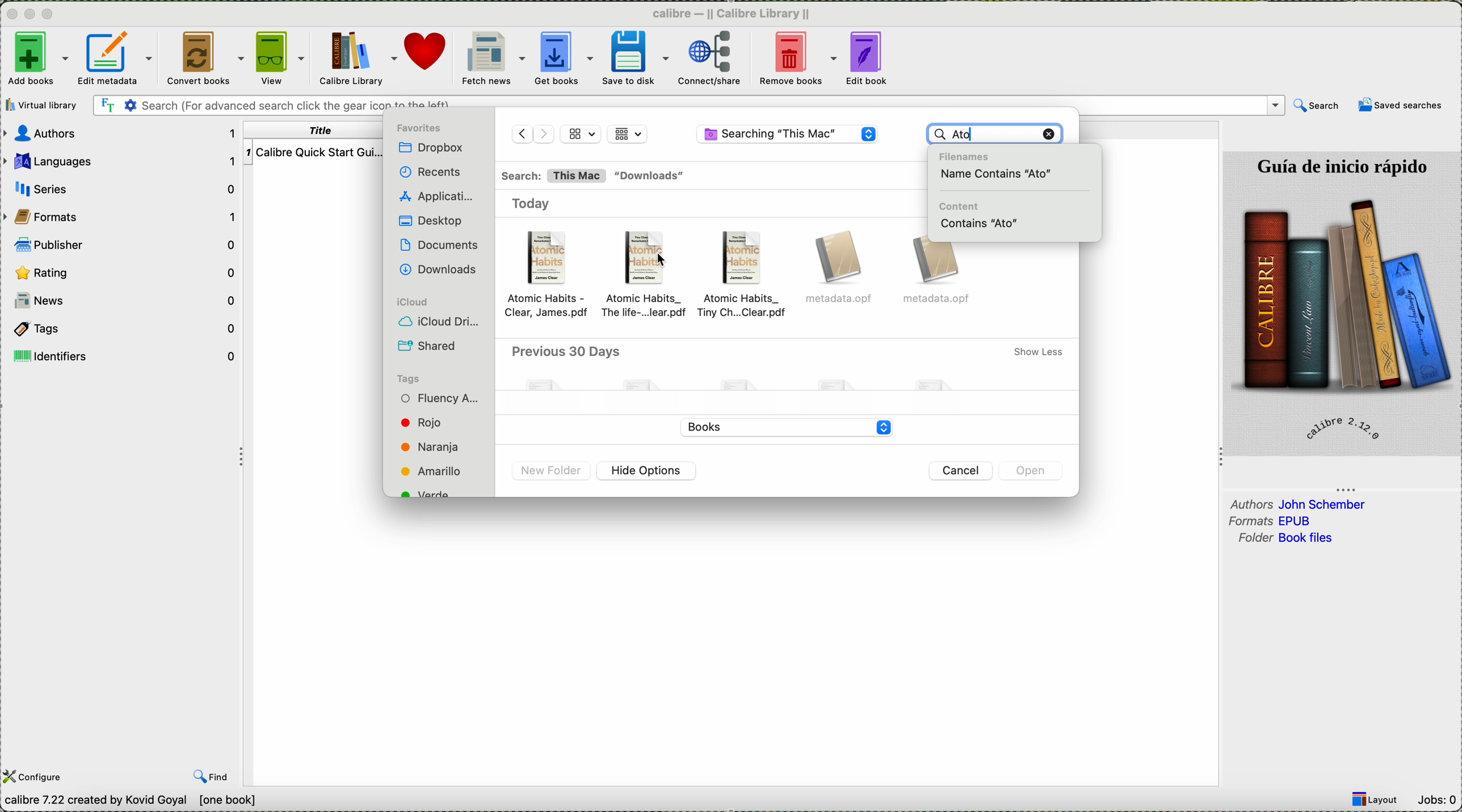  I want to click on downloads, so click(652, 176).